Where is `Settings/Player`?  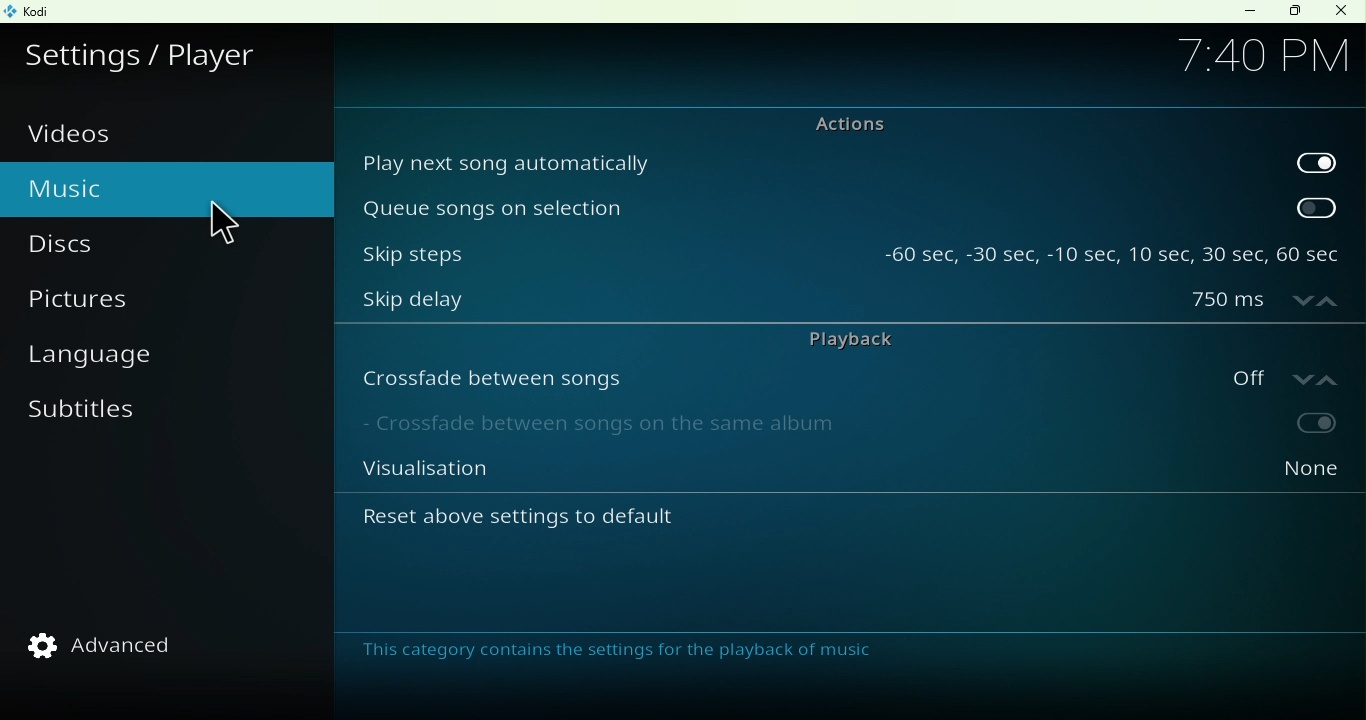
Settings/Player is located at coordinates (147, 51).